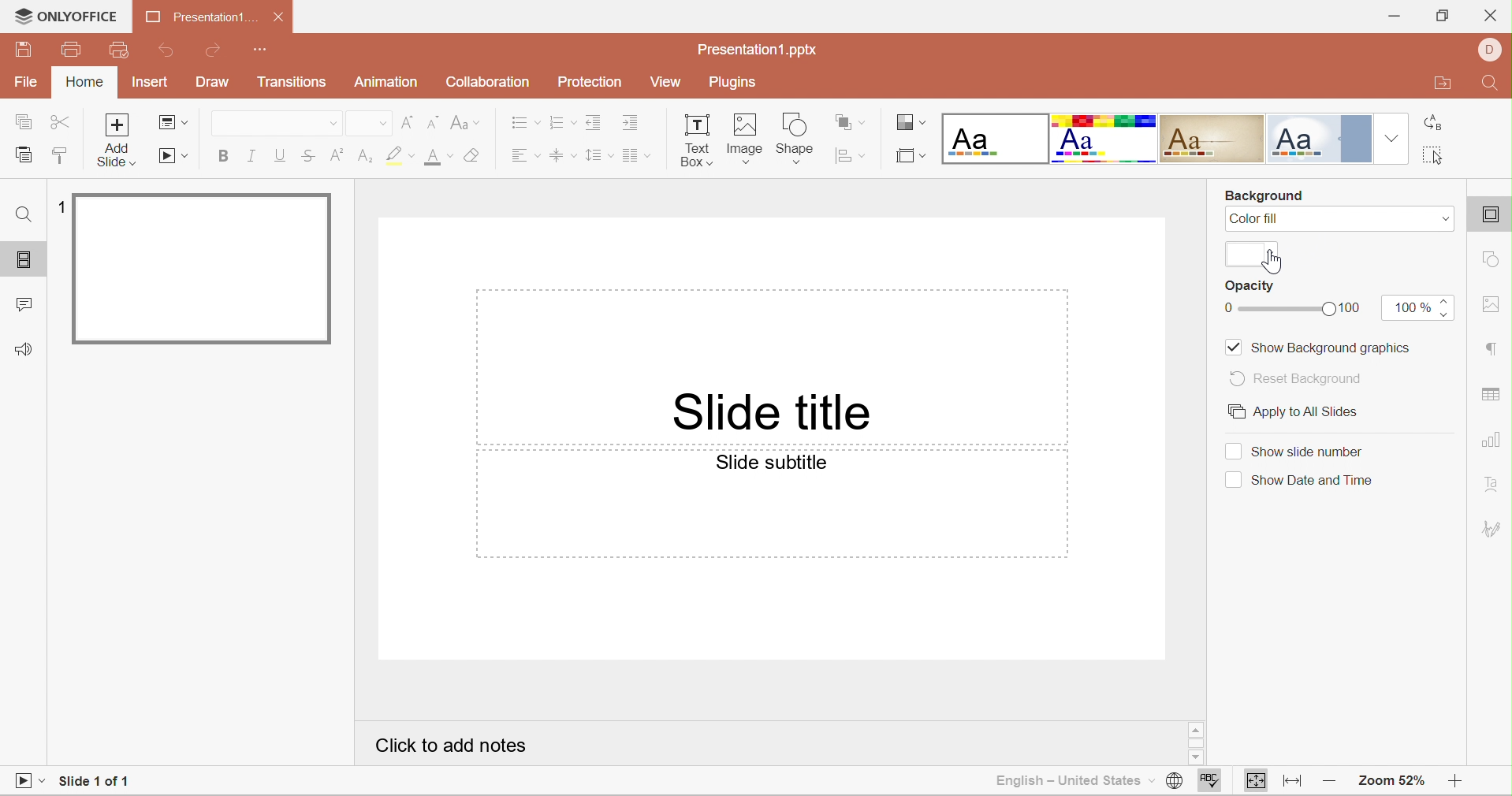 The height and width of the screenshot is (796, 1512). Describe the element at coordinates (291, 85) in the screenshot. I see `Transitions` at that location.